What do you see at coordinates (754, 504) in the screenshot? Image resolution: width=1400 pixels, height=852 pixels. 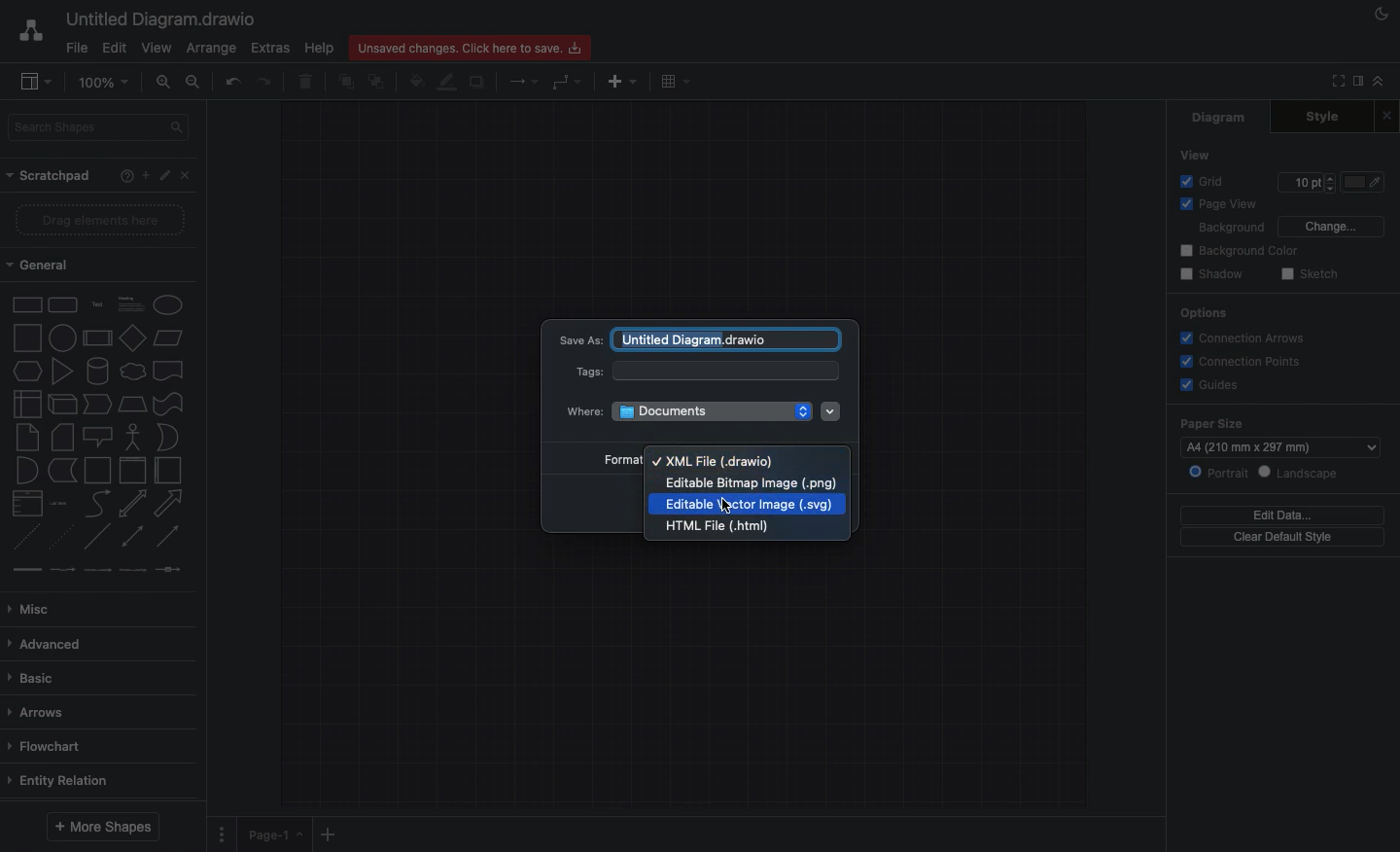 I see `Editable Vector Image` at bounding box center [754, 504].